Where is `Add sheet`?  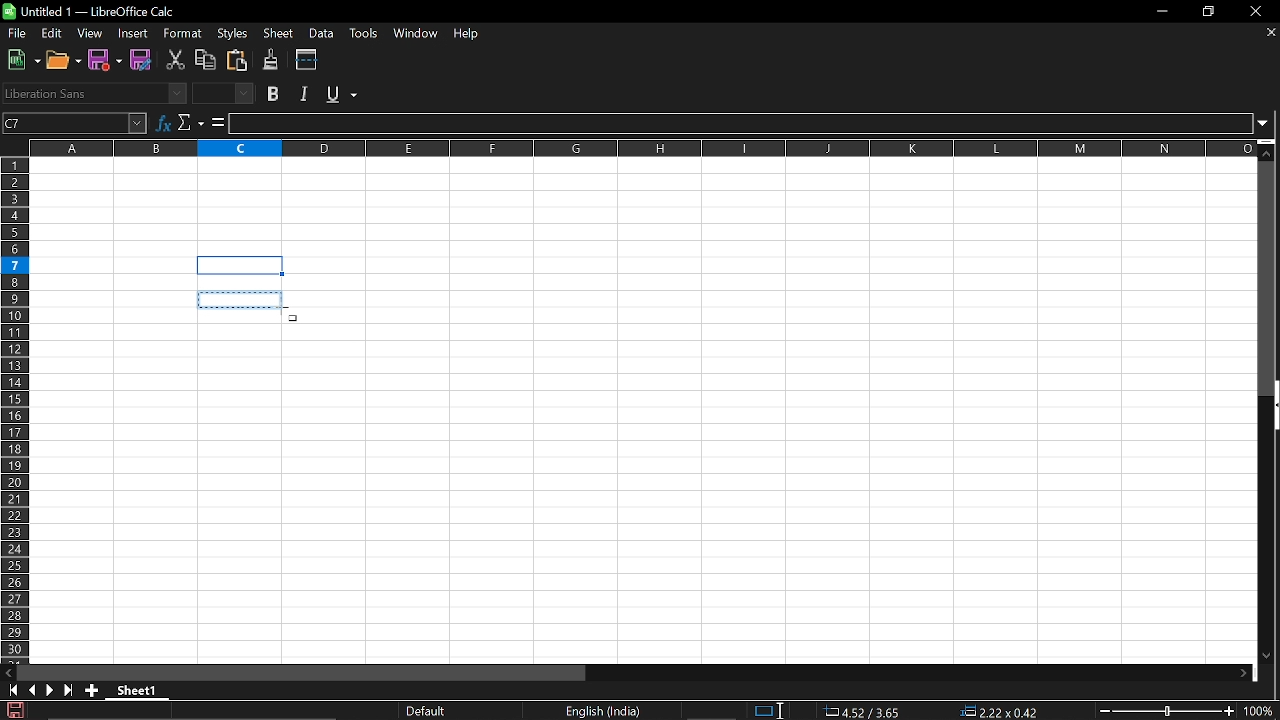
Add sheet is located at coordinates (91, 690).